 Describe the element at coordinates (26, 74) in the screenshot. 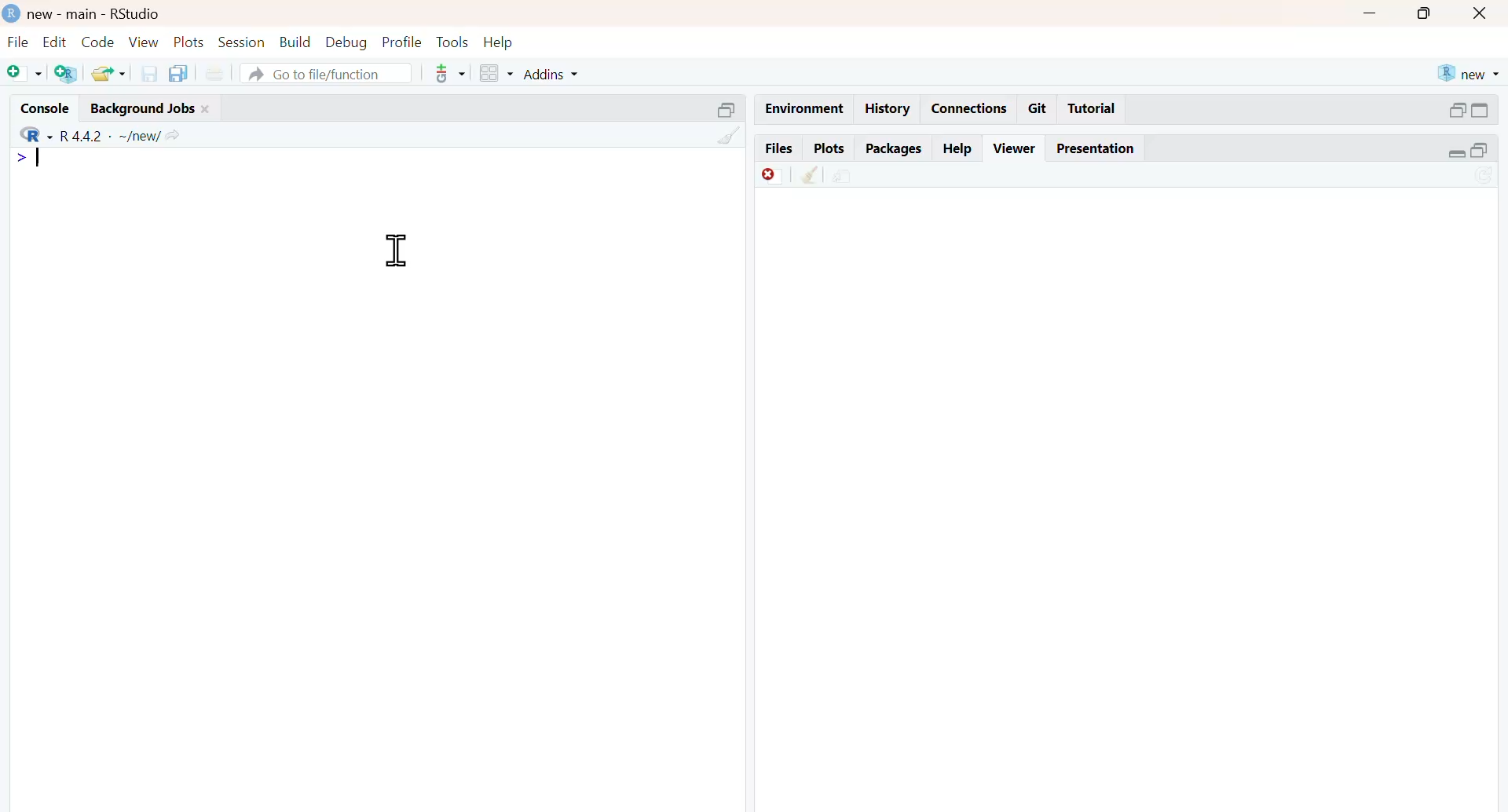

I see `add file as` at that location.